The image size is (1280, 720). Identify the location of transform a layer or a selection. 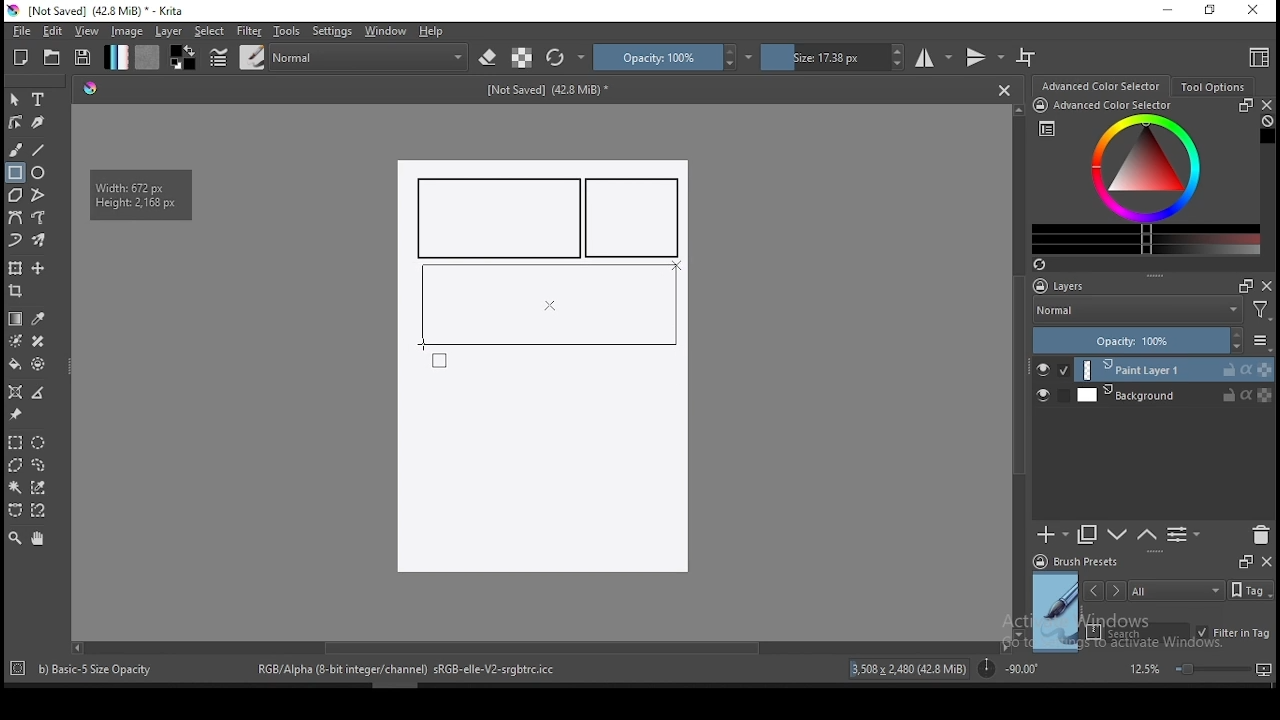
(15, 267).